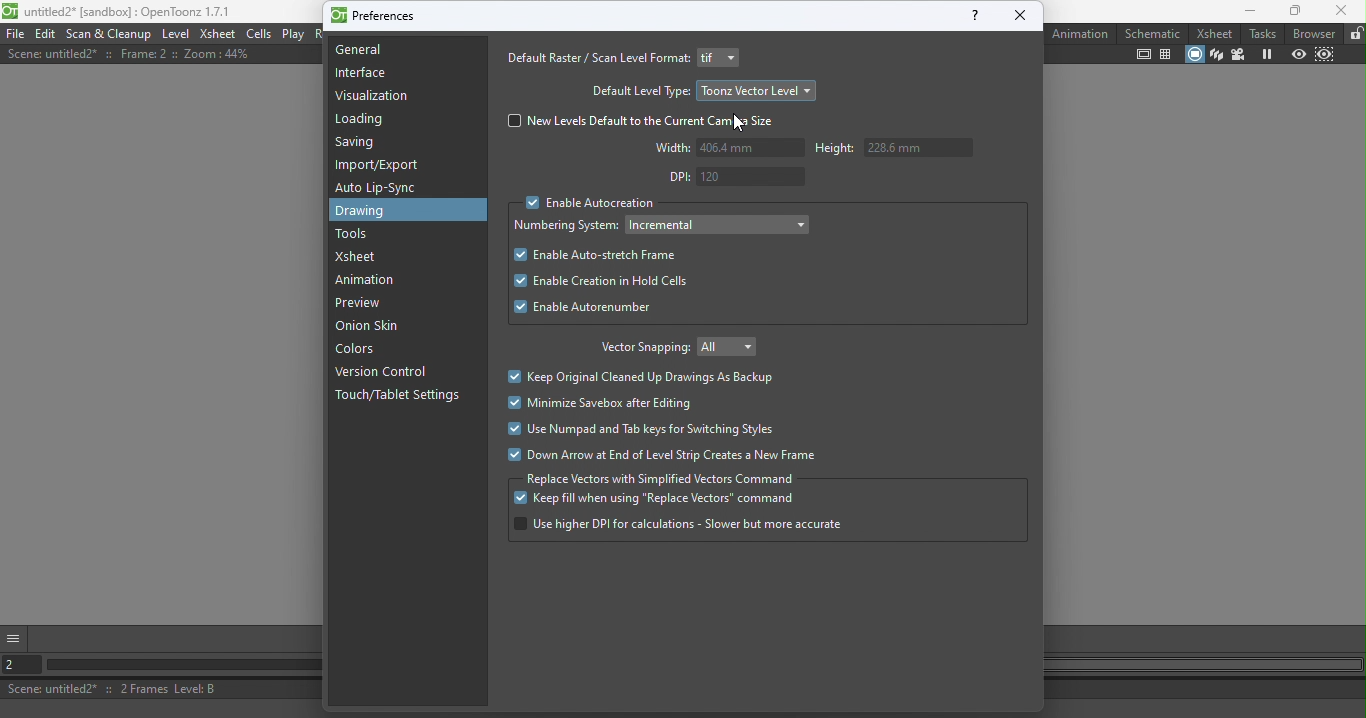 The image size is (1366, 718). I want to click on Keep fill when using "replace vectors" command, so click(656, 501).